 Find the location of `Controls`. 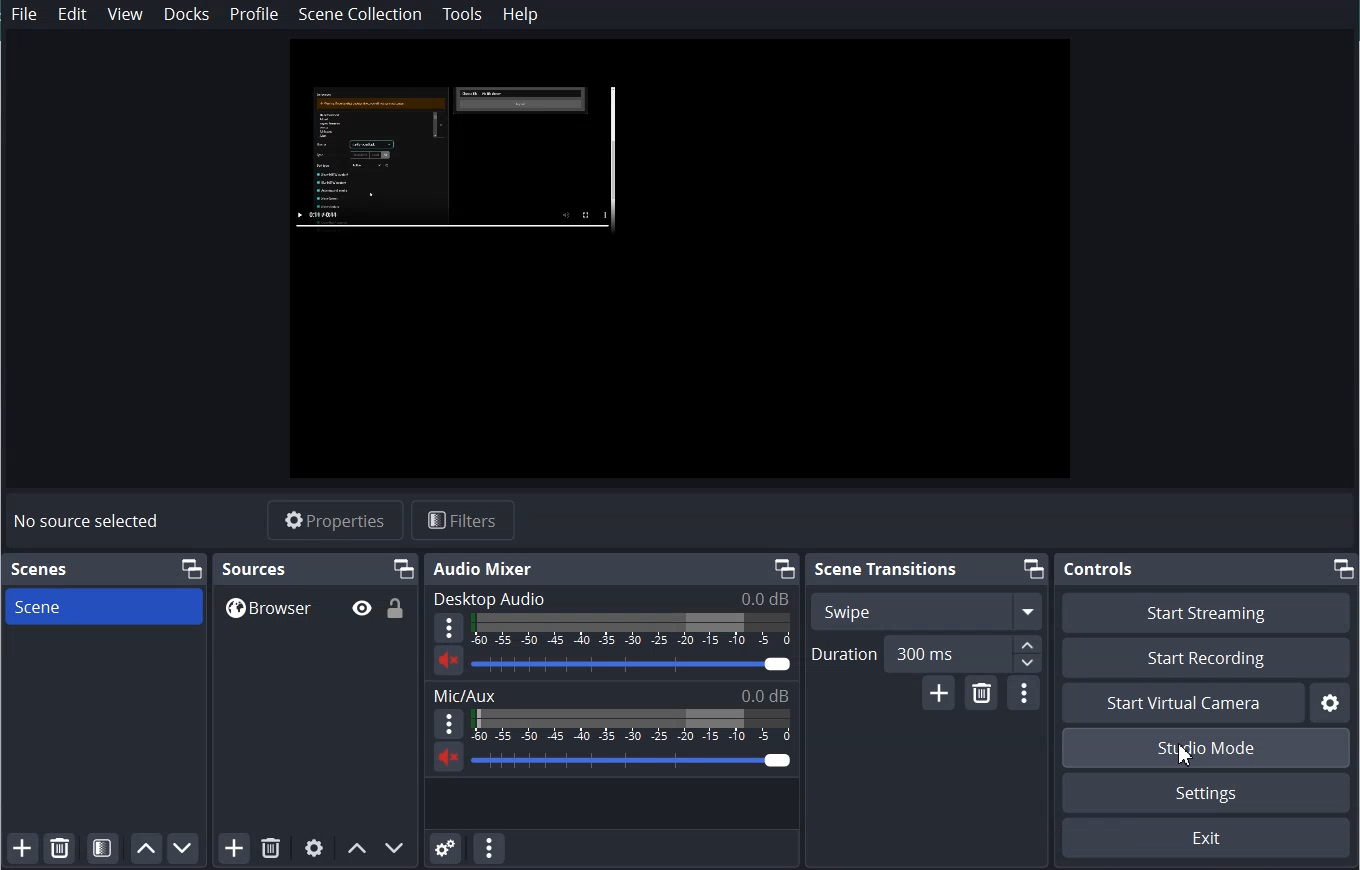

Controls is located at coordinates (1097, 569).